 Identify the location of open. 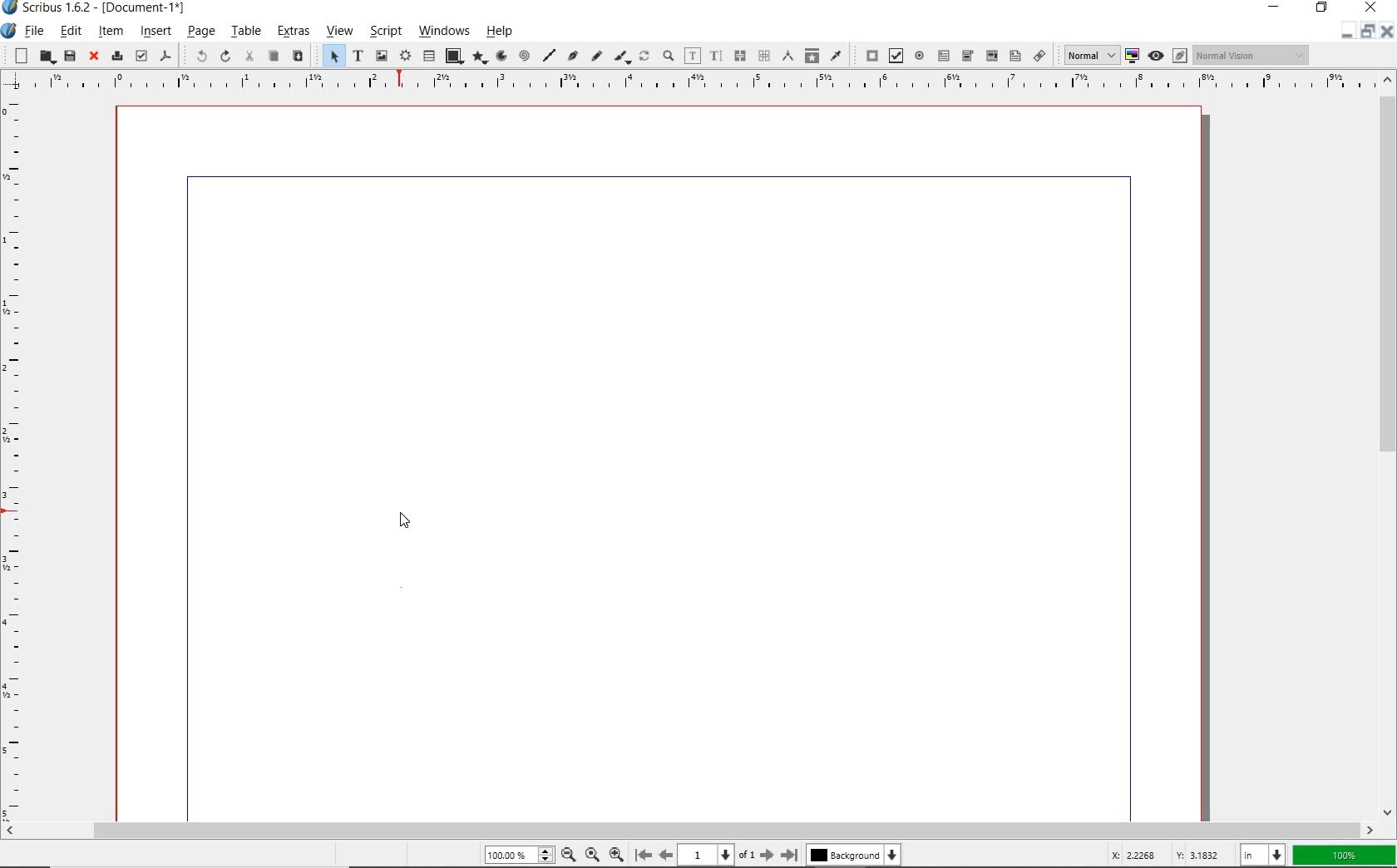
(46, 57).